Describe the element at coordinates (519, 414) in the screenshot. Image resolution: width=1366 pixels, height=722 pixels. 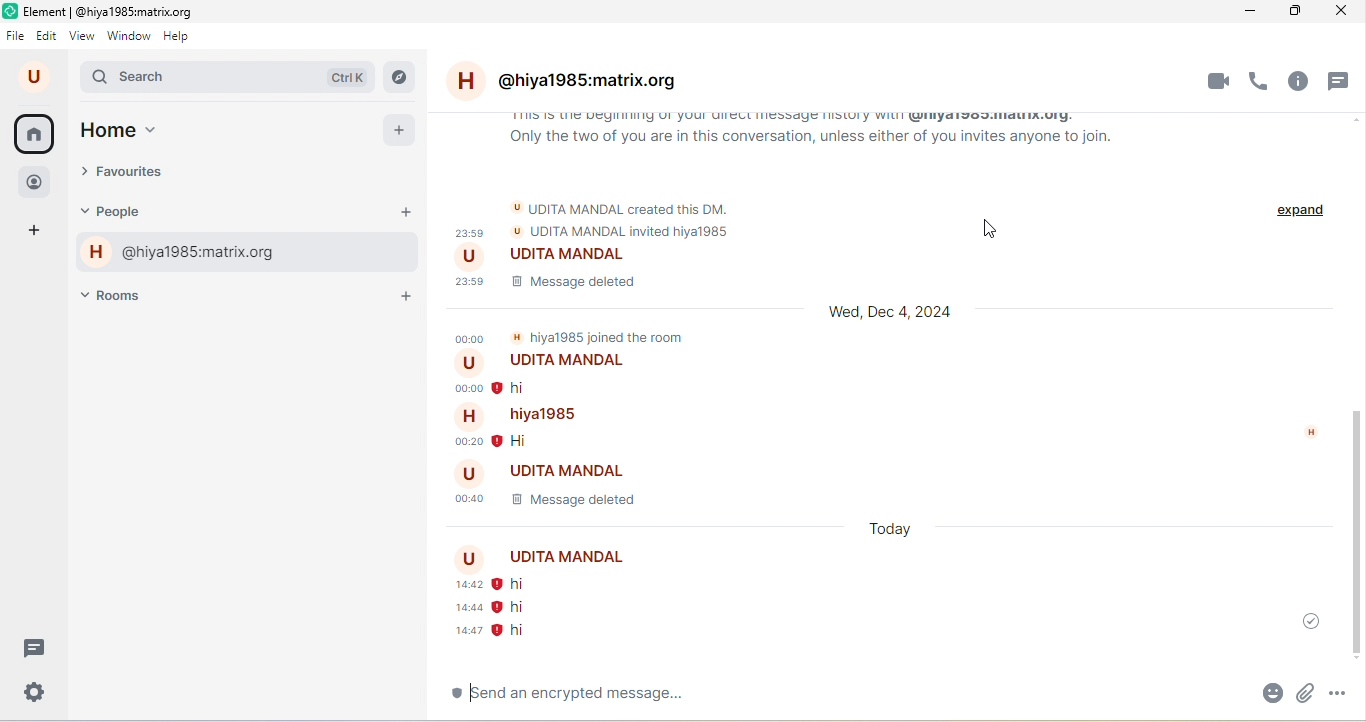
I see `hiya1985` at that location.